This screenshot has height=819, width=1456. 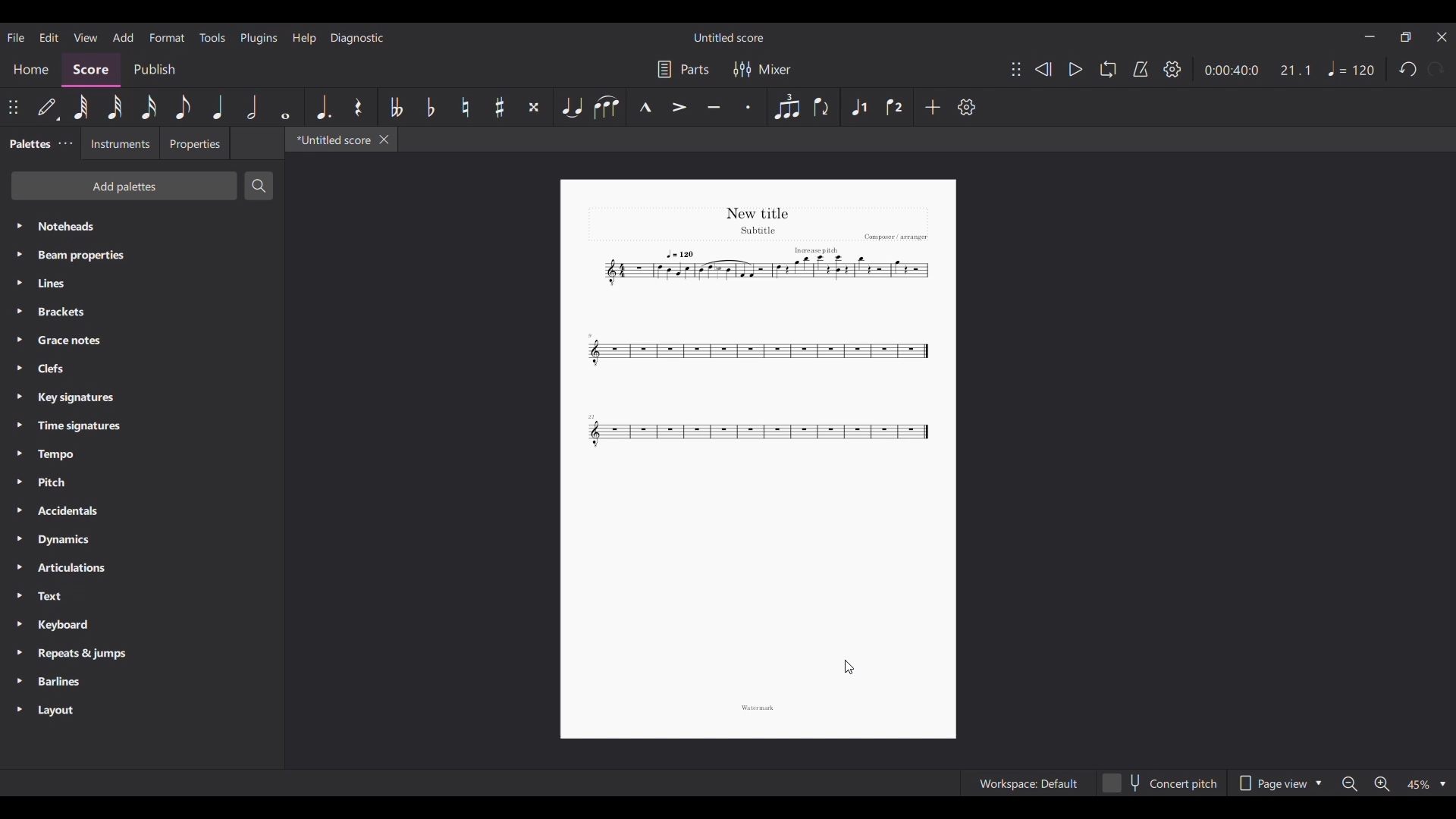 What do you see at coordinates (124, 186) in the screenshot?
I see `Add palettes` at bounding box center [124, 186].